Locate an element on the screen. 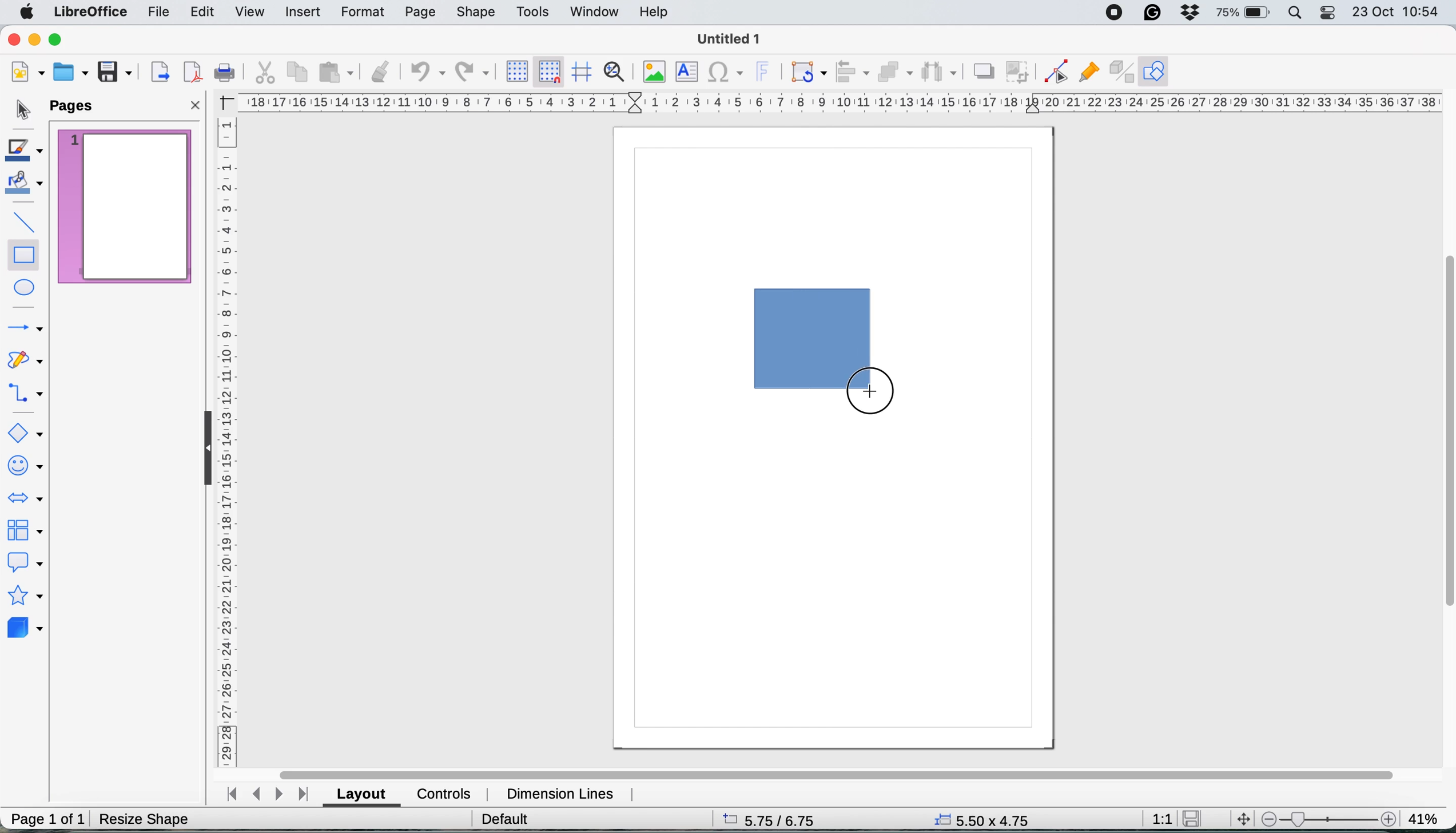 The image size is (1456, 833). resize shape is located at coordinates (146, 818).